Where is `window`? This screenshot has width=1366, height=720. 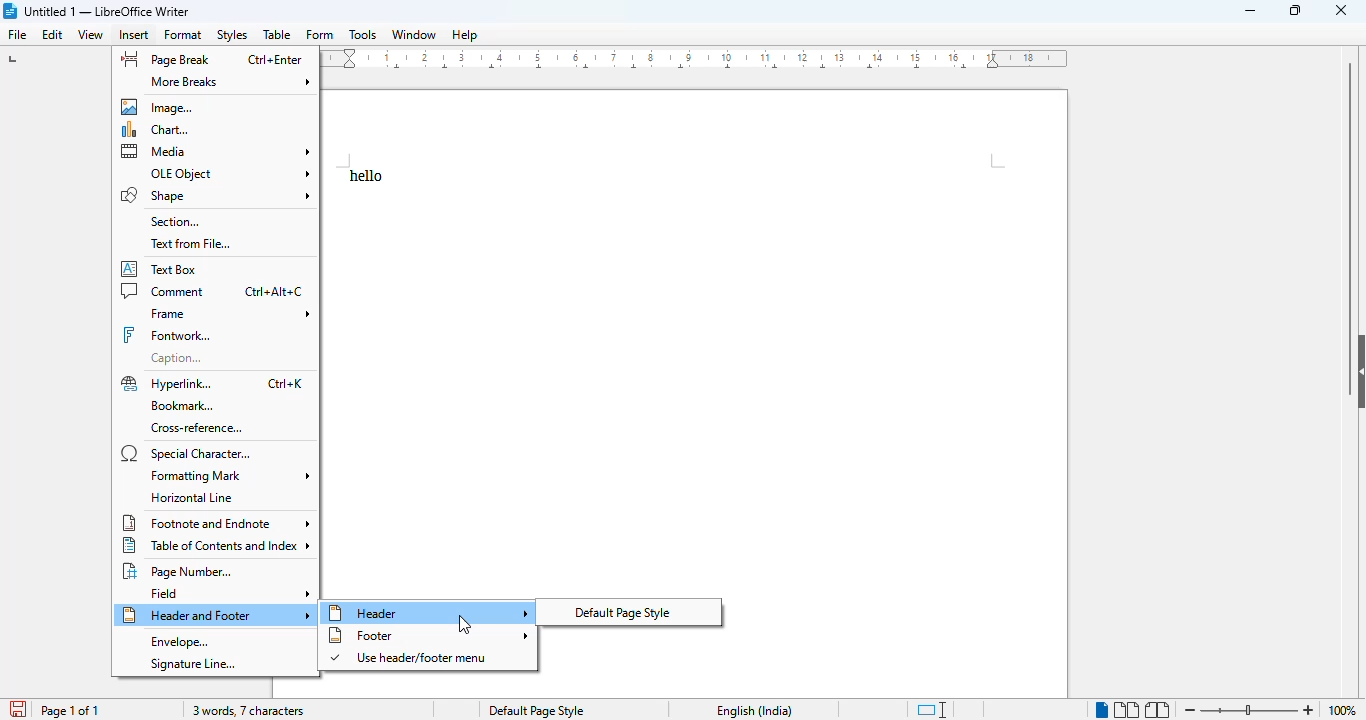
window is located at coordinates (414, 34).